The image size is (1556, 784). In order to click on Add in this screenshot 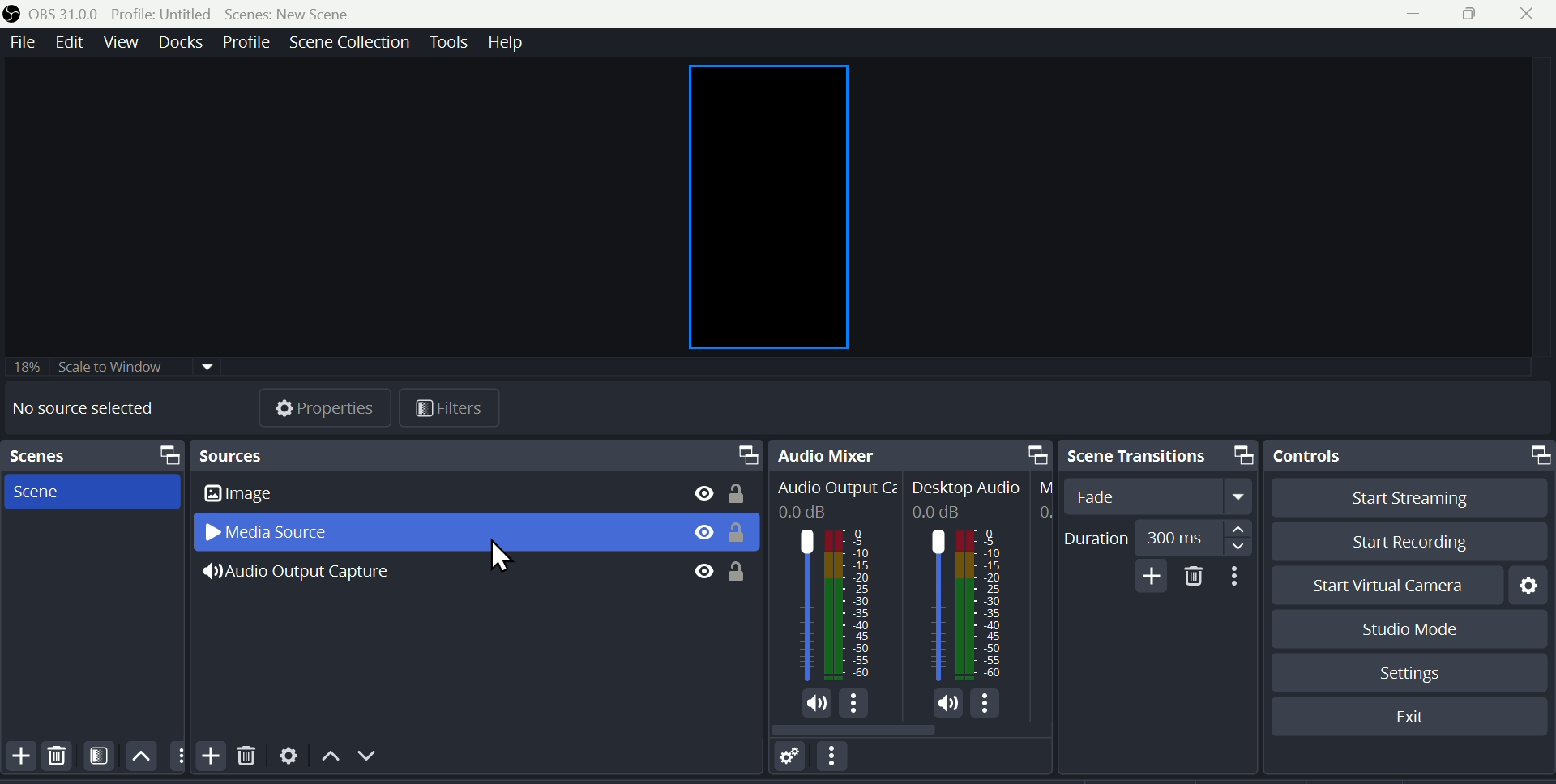, I will do `click(19, 758)`.